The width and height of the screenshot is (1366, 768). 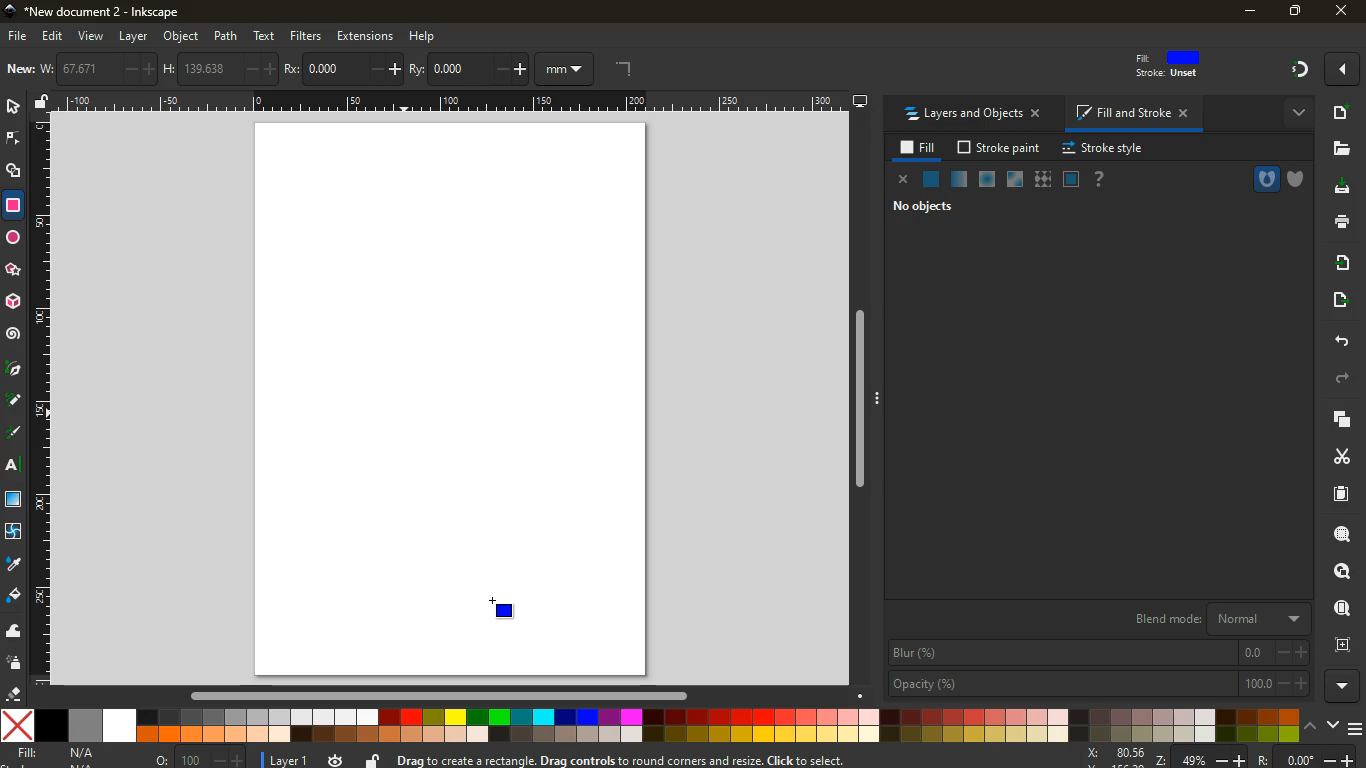 What do you see at coordinates (15, 501) in the screenshot?
I see `window` at bounding box center [15, 501].